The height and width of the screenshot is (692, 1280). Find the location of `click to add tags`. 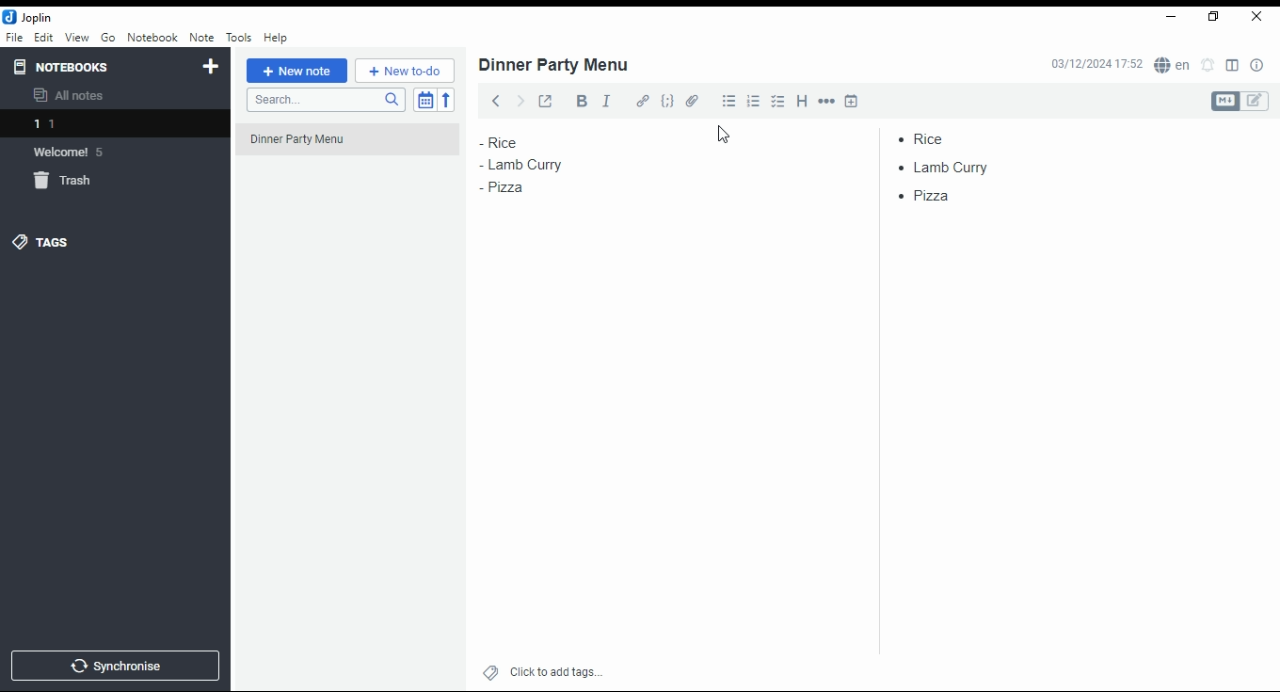

click to add tags is located at coordinates (554, 671).